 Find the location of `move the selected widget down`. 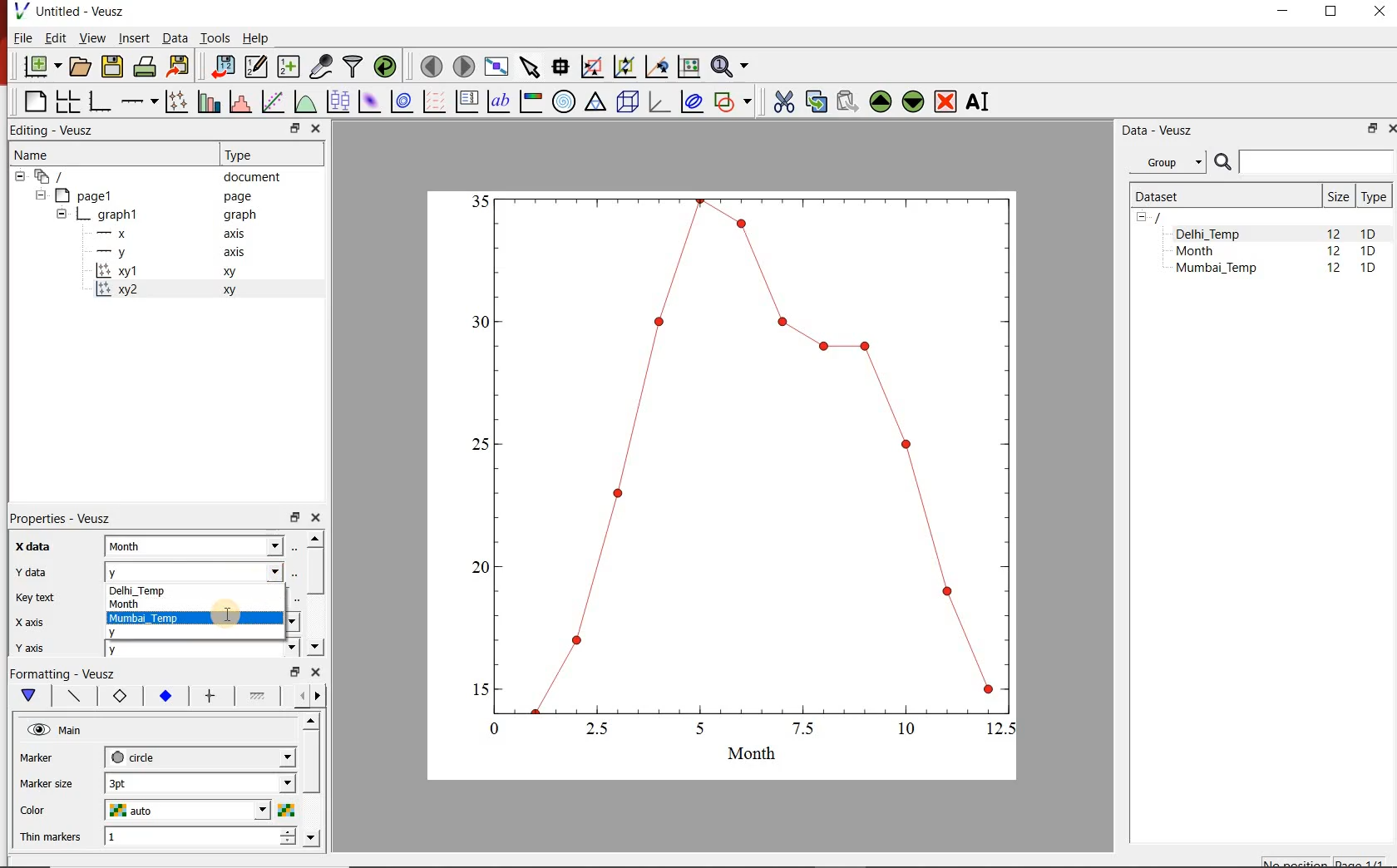

move the selected widget down is located at coordinates (913, 102).